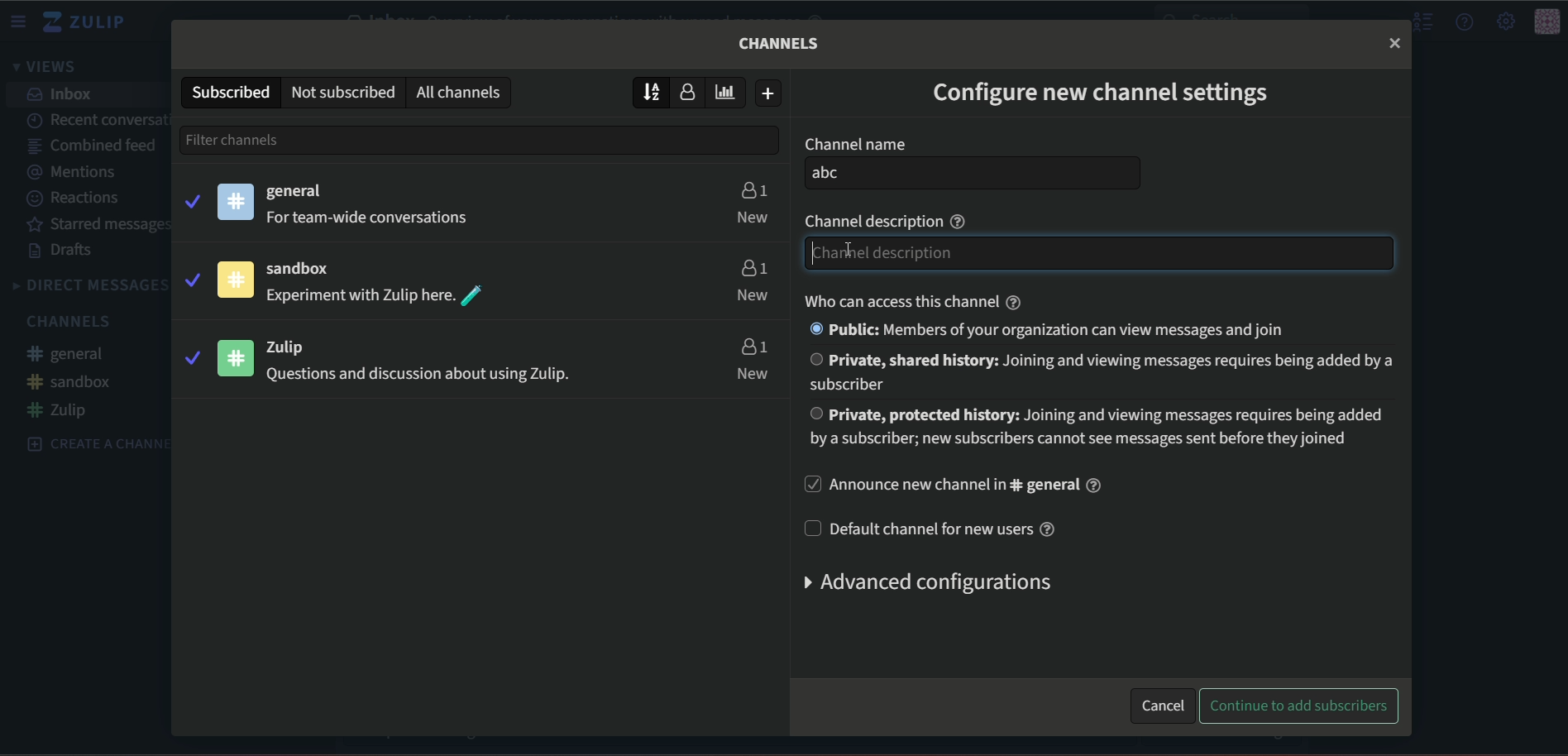  What do you see at coordinates (89, 22) in the screenshot?
I see `zulip logo` at bounding box center [89, 22].